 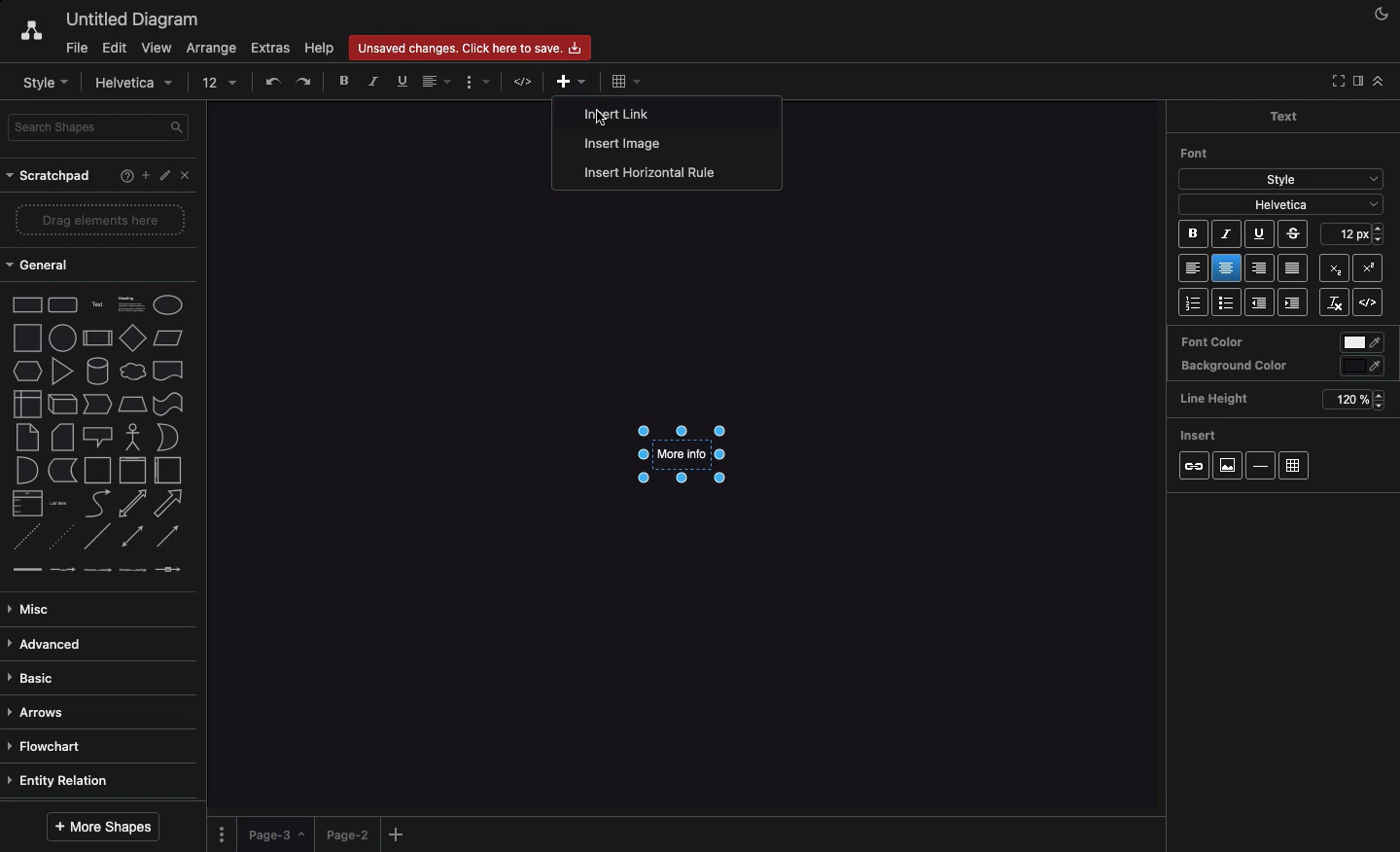 I want to click on step, so click(x=97, y=404).